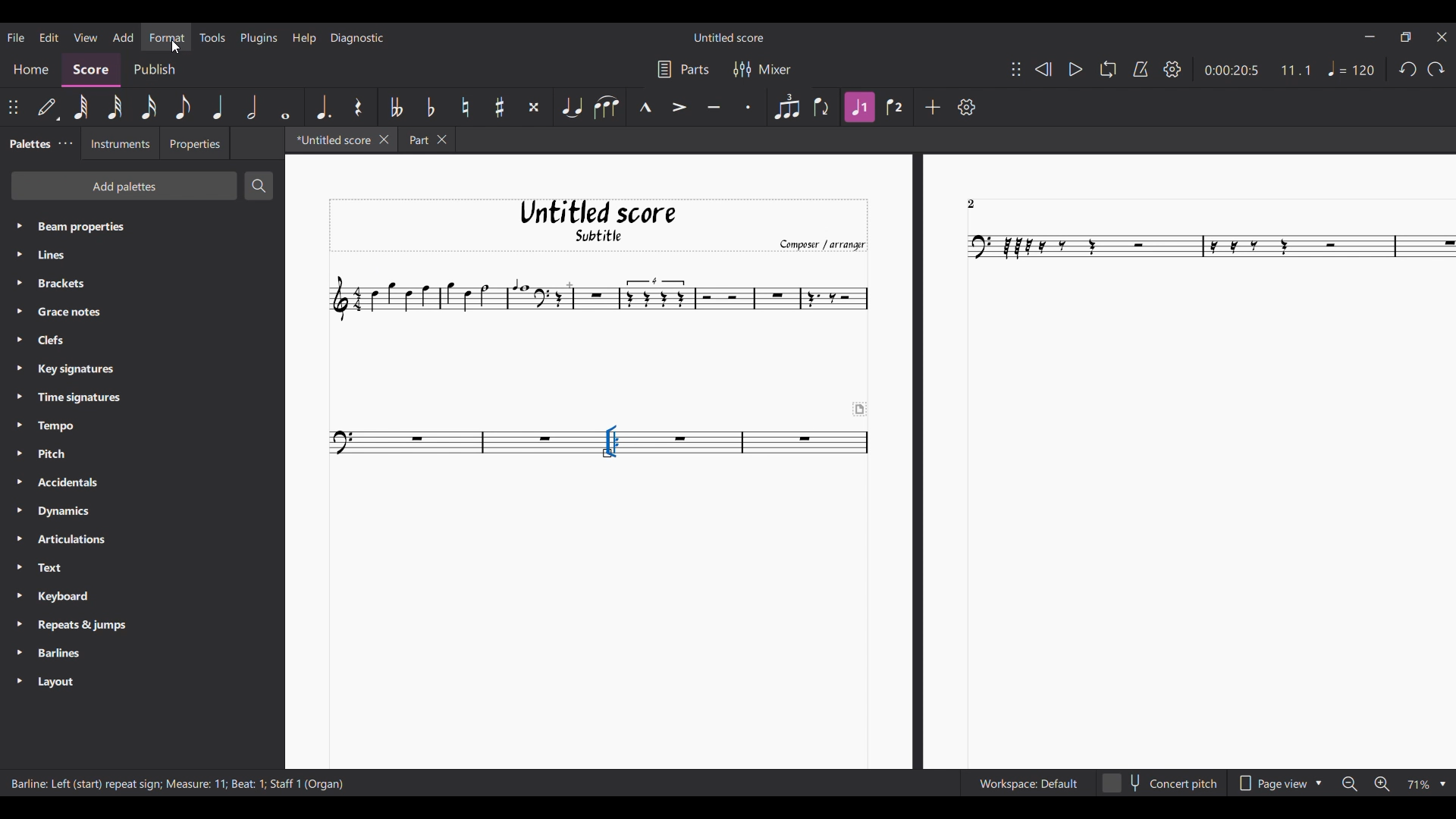 This screenshot has width=1456, height=819. Describe the element at coordinates (895, 107) in the screenshot. I see `Voice 2` at that location.